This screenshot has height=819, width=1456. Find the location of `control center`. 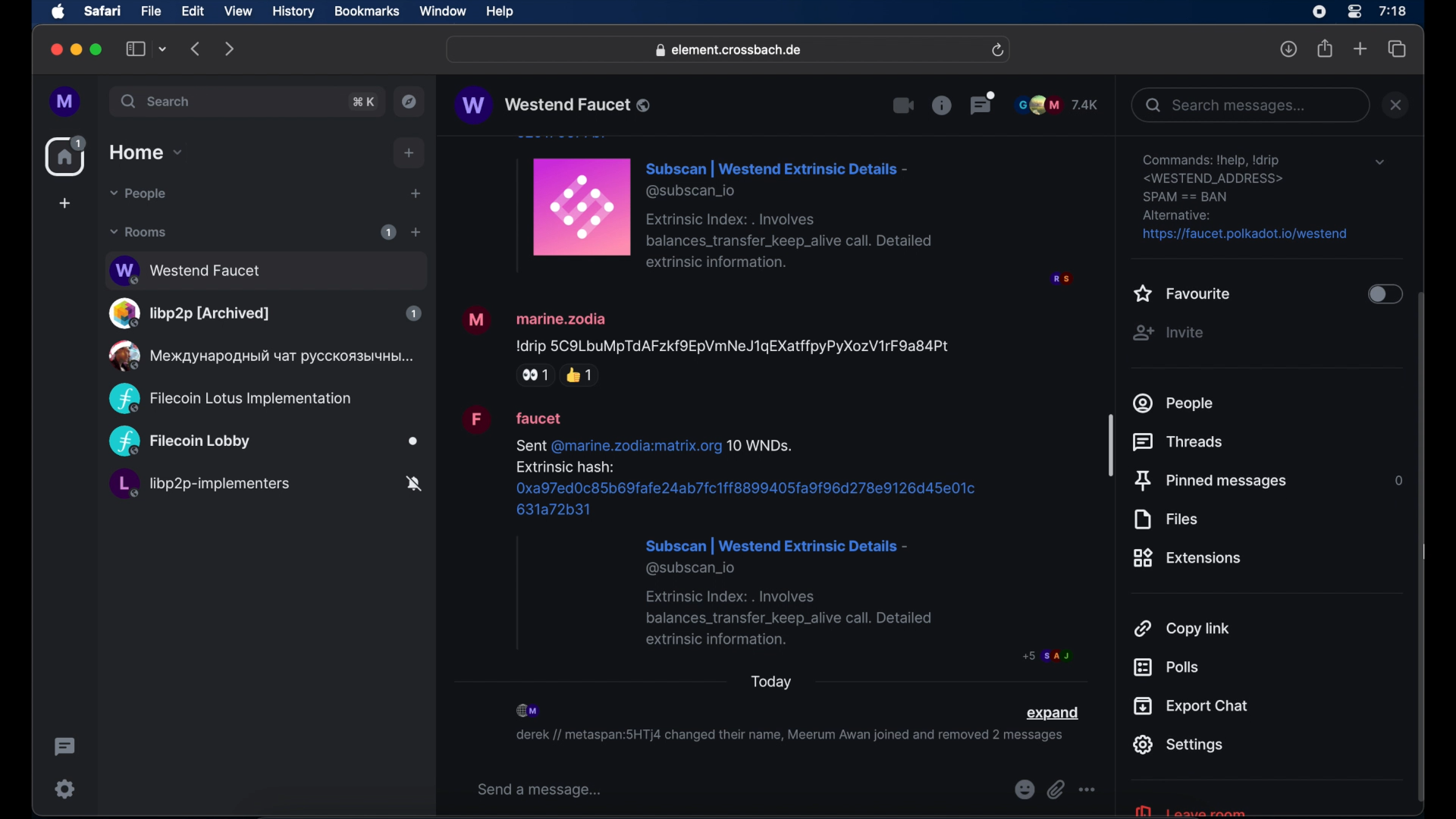

control center is located at coordinates (1353, 12).